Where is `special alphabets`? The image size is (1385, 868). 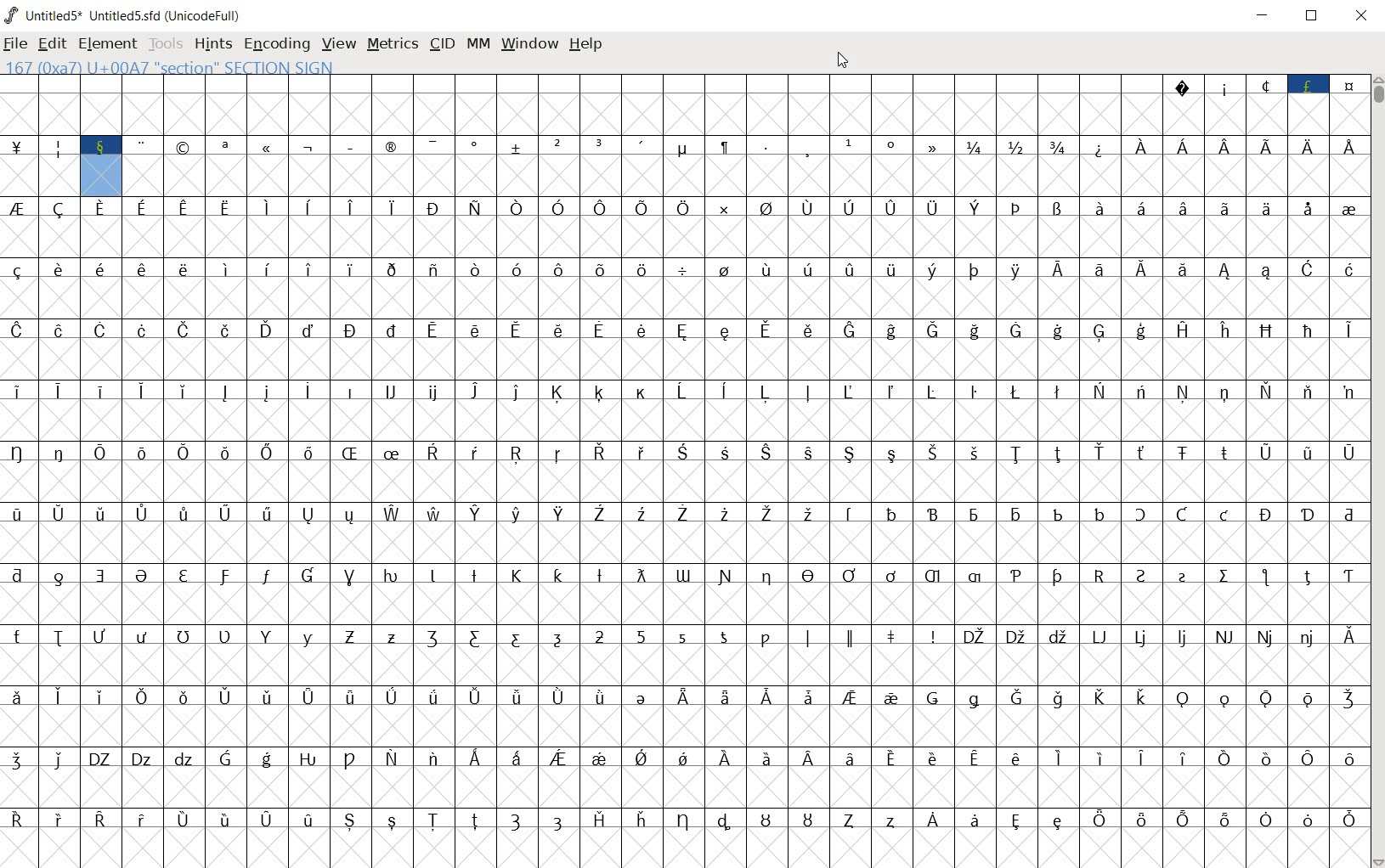 special alphabets is located at coordinates (540, 656).